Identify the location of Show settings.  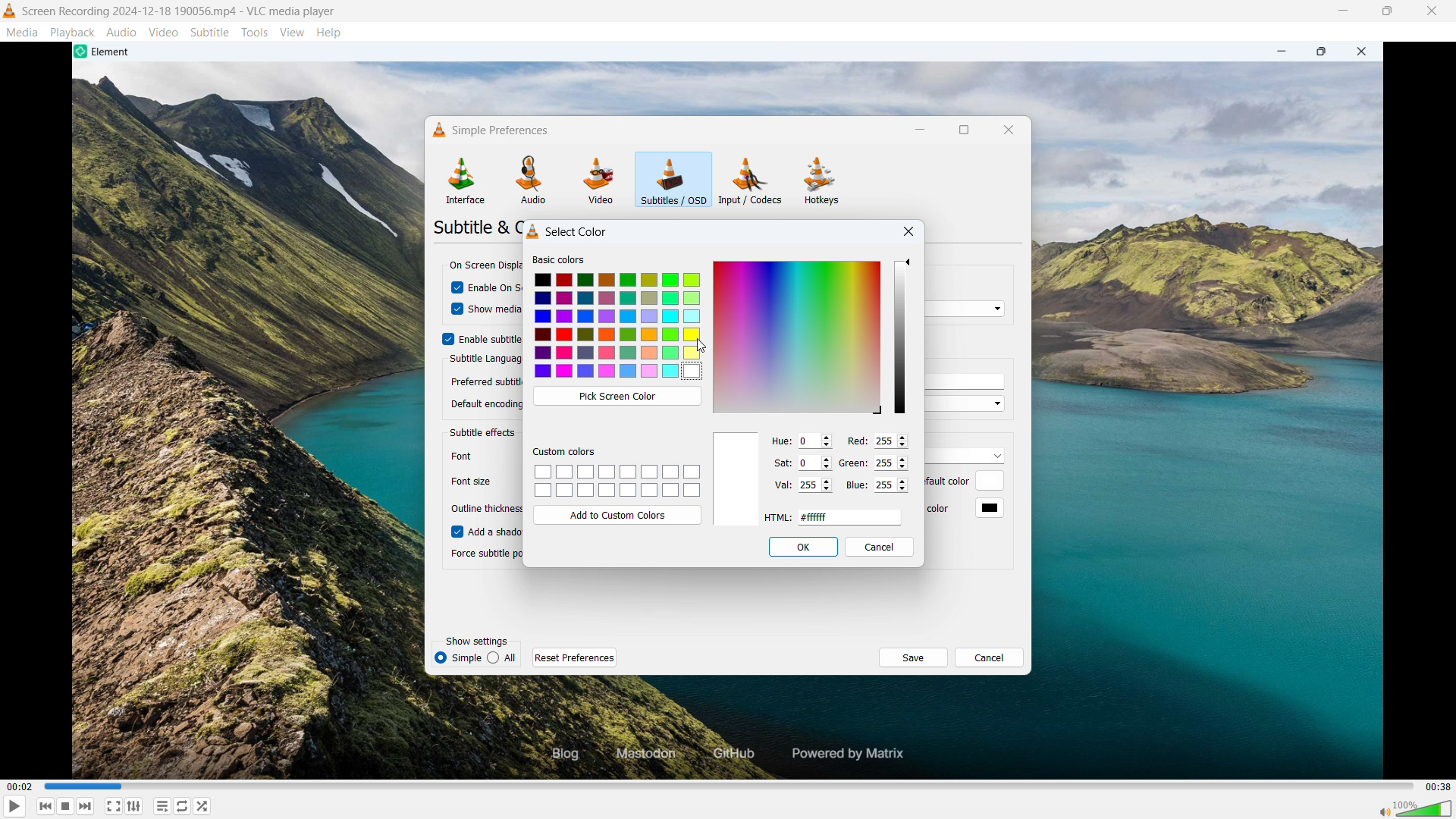
(476, 641).